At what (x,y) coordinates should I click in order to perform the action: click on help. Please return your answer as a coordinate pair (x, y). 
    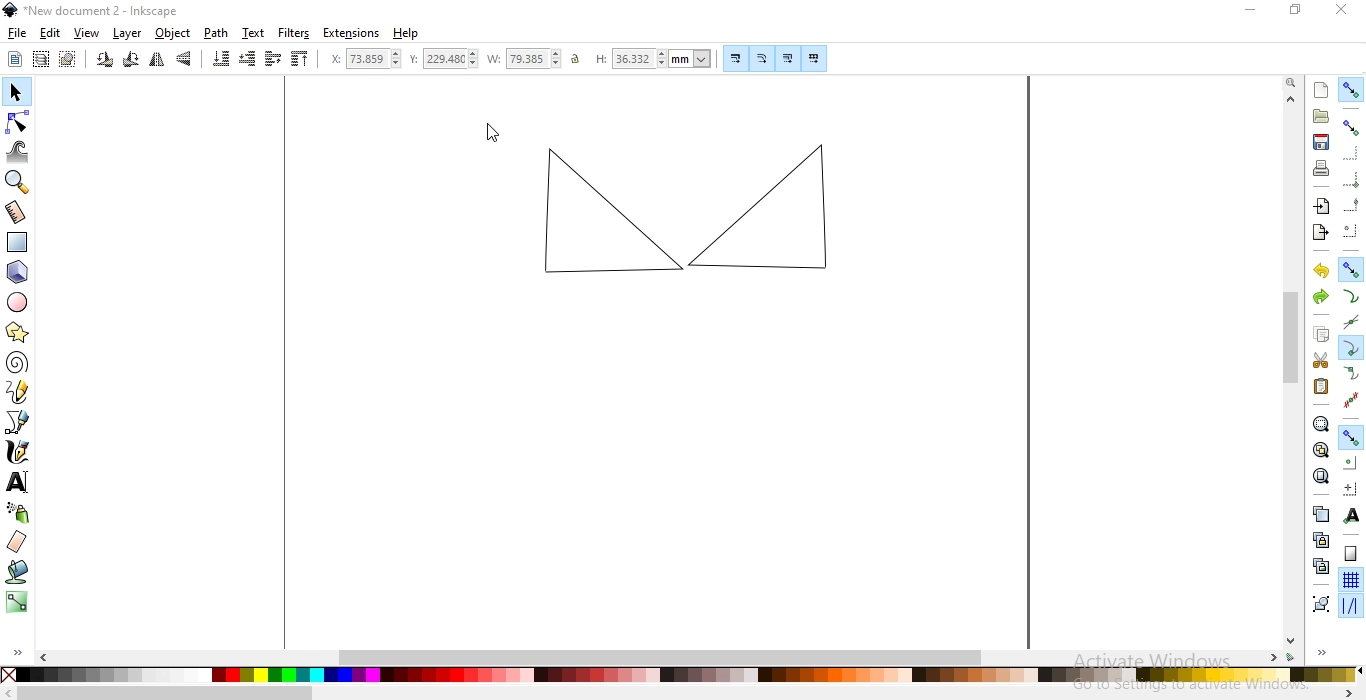
    Looking at the image, I should click on (406, 34).